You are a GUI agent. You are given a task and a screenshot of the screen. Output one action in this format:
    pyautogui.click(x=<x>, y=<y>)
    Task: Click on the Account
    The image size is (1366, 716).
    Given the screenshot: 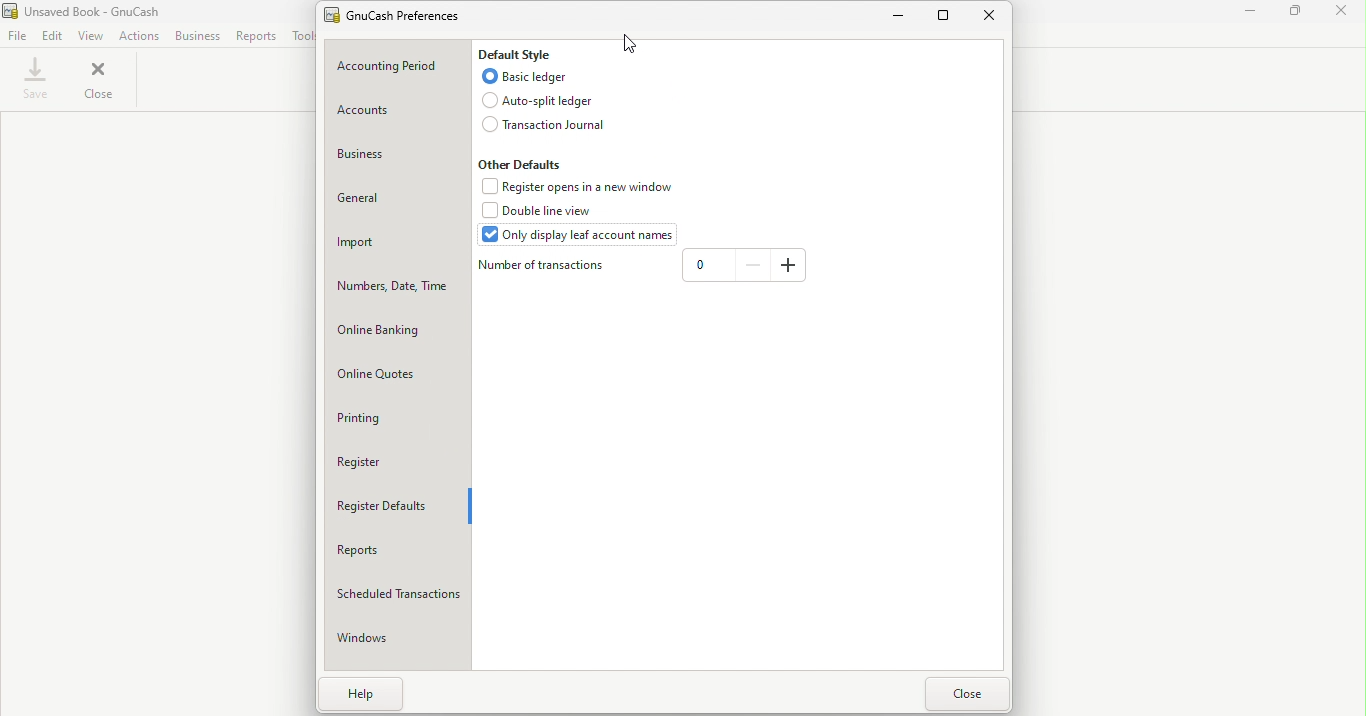 What is the action you would take?
    pyautogui.click(x=398, y=112)
    